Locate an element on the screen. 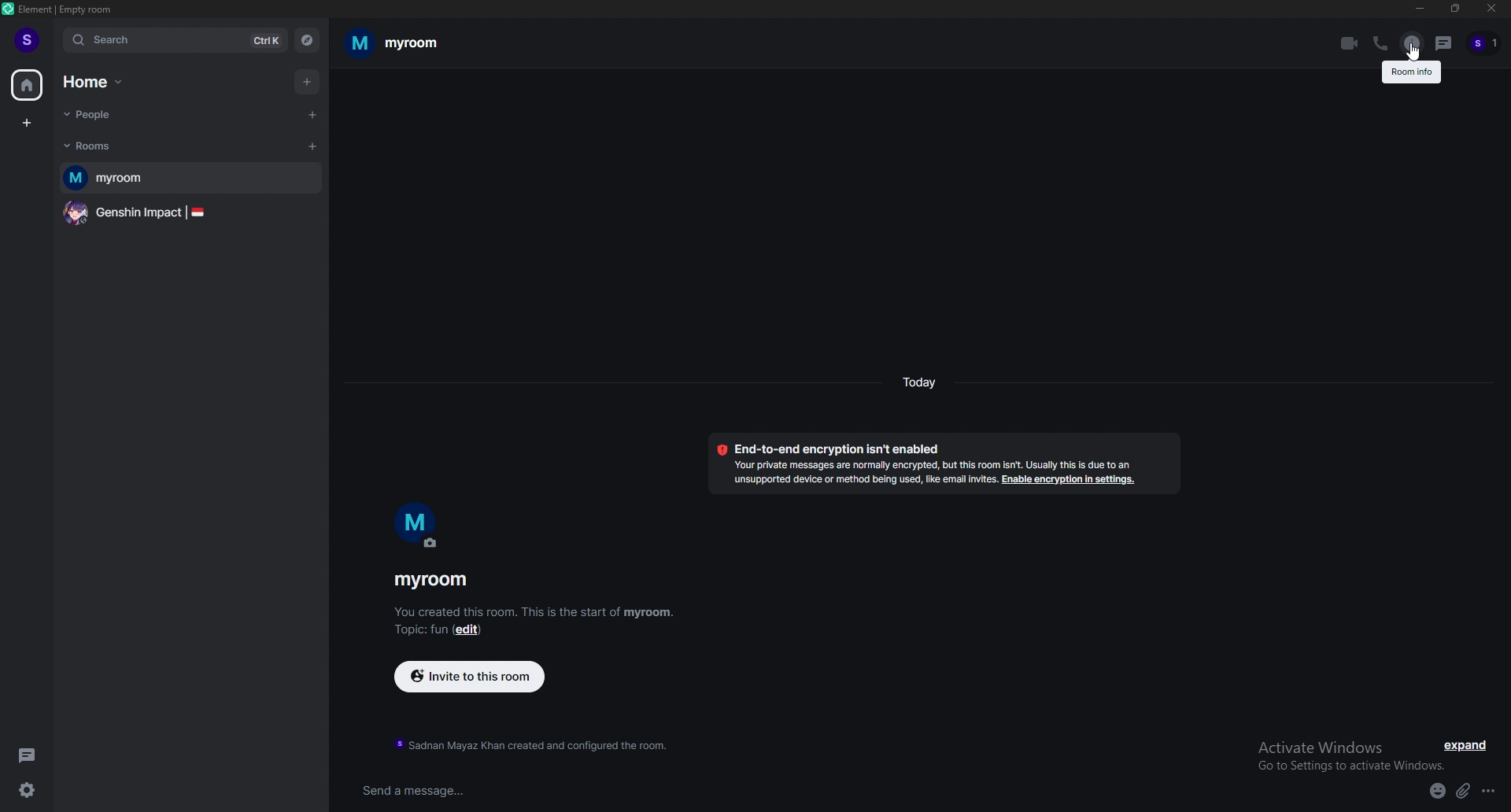  people is located at coordinates (1487, 45).